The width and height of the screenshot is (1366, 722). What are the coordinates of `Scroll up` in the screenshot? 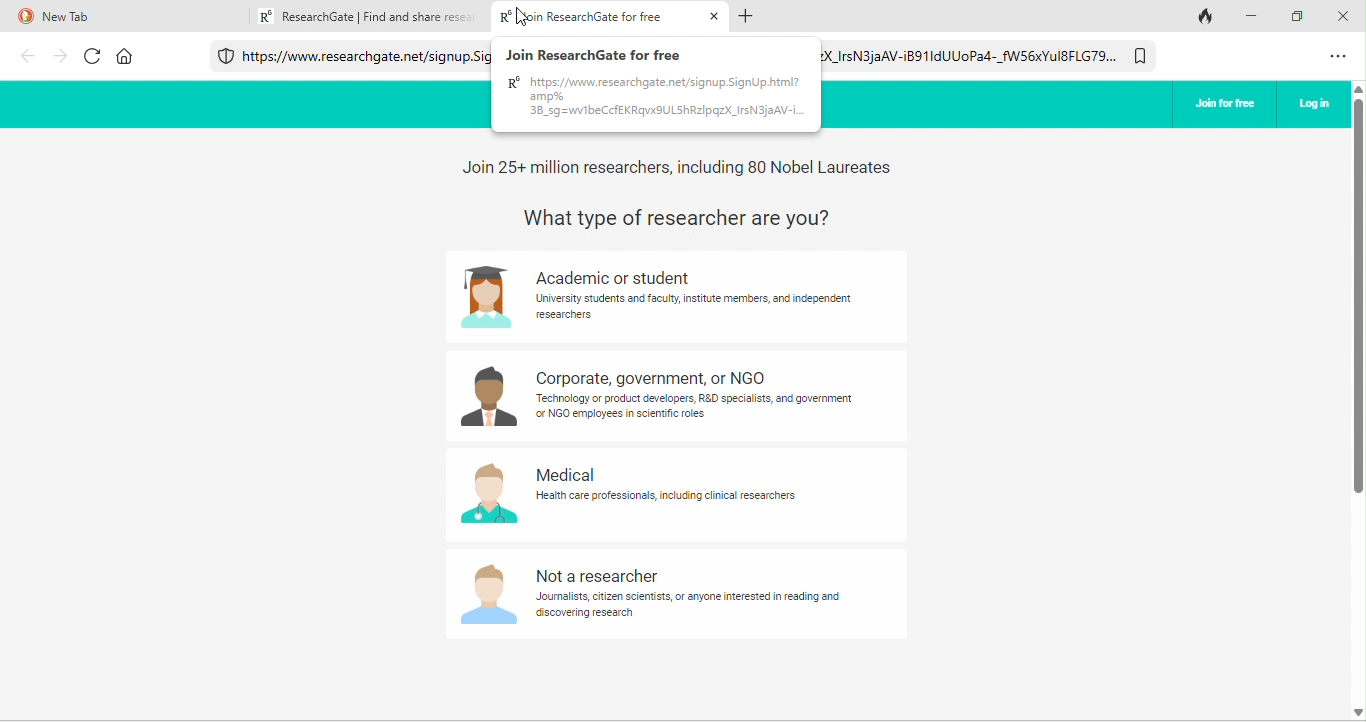 It's located at (1357, 89).